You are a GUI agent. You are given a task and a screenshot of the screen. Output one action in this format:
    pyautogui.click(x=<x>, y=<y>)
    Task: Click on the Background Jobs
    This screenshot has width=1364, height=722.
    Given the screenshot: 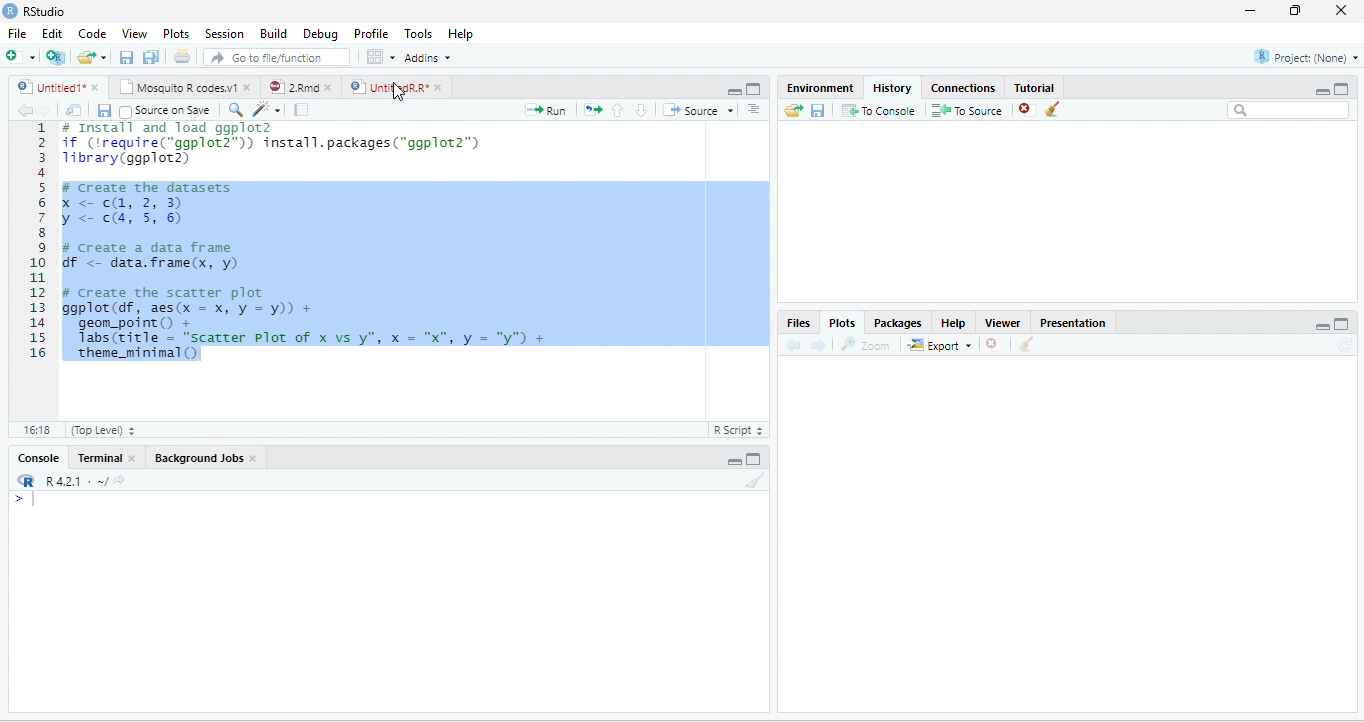 What is the action you would take?
    pyautogui.click(x=197, y=459)
    